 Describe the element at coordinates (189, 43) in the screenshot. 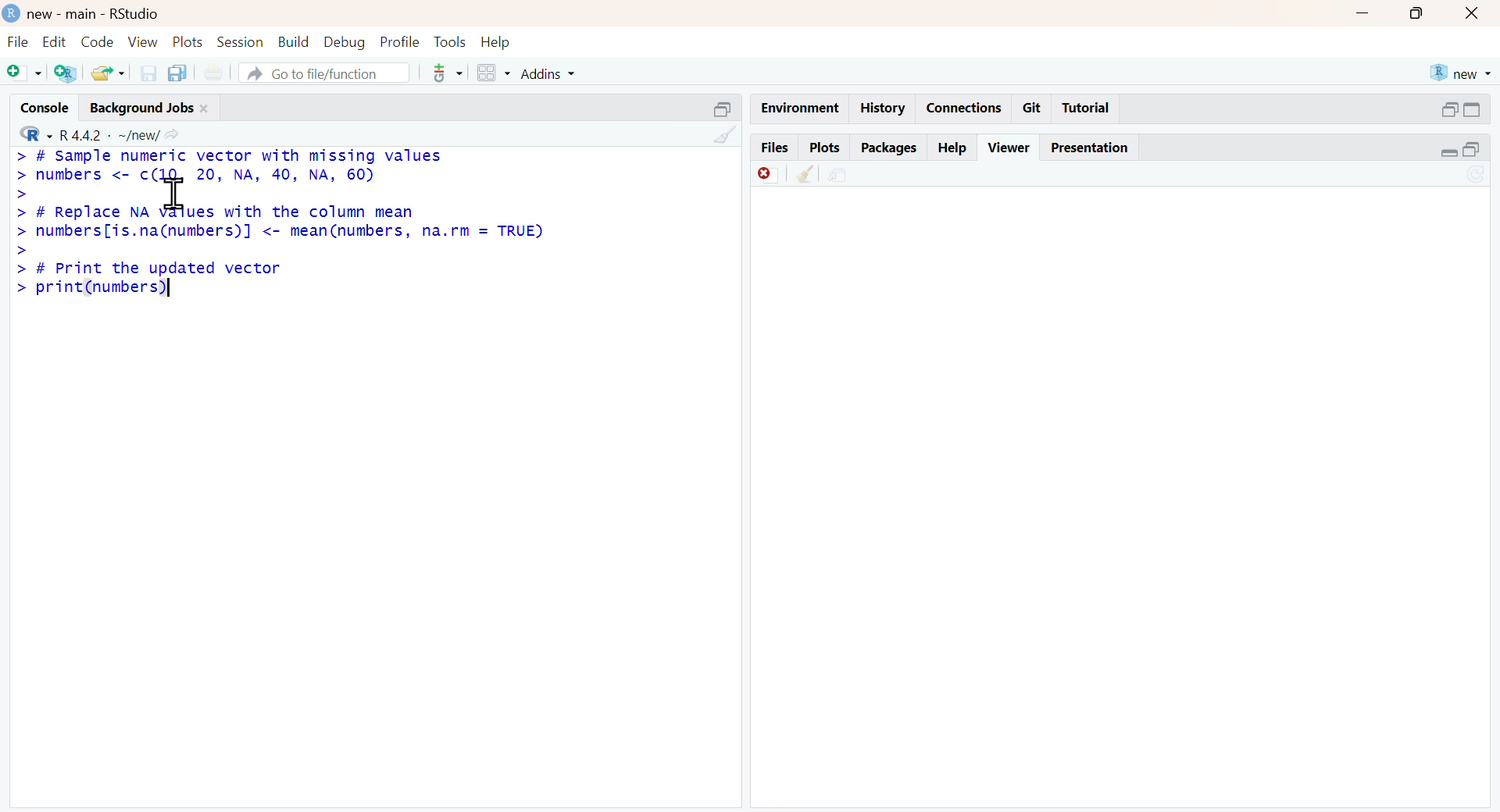

I see `plots` at that location.